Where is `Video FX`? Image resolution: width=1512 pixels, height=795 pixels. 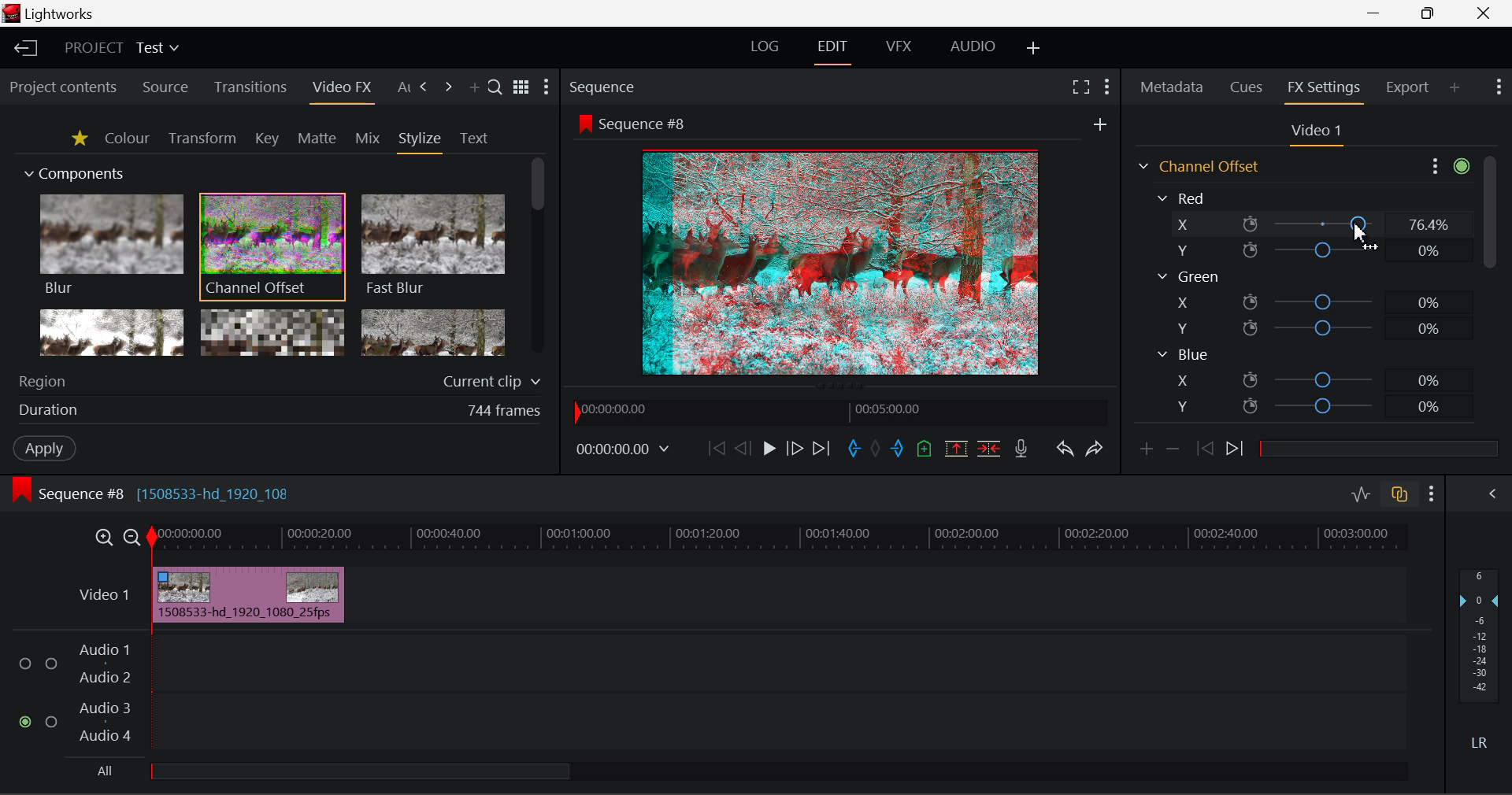
Video FX is located at coordinates (341, 91).